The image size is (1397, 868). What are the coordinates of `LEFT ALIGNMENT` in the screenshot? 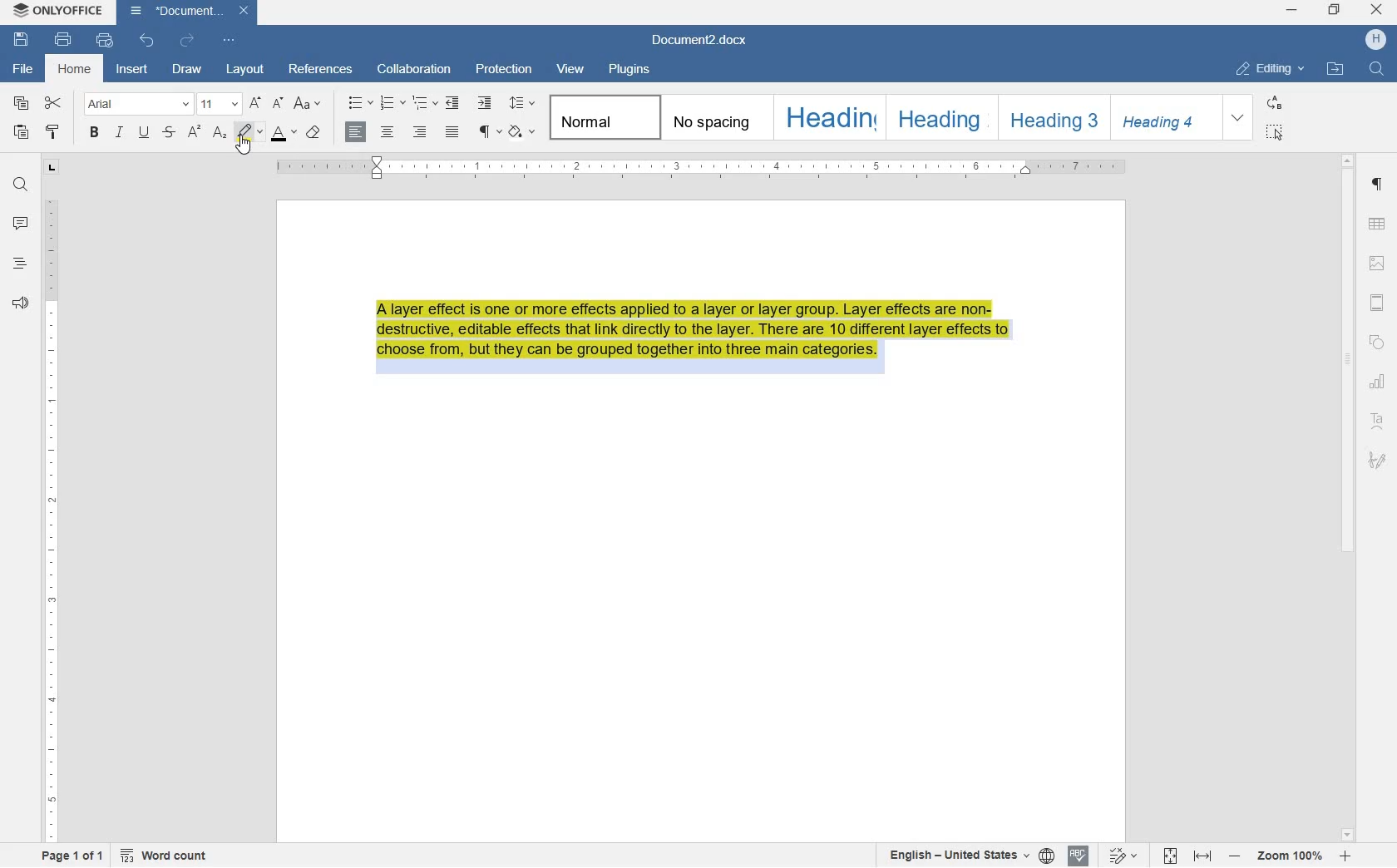 It's located at (357, 132).